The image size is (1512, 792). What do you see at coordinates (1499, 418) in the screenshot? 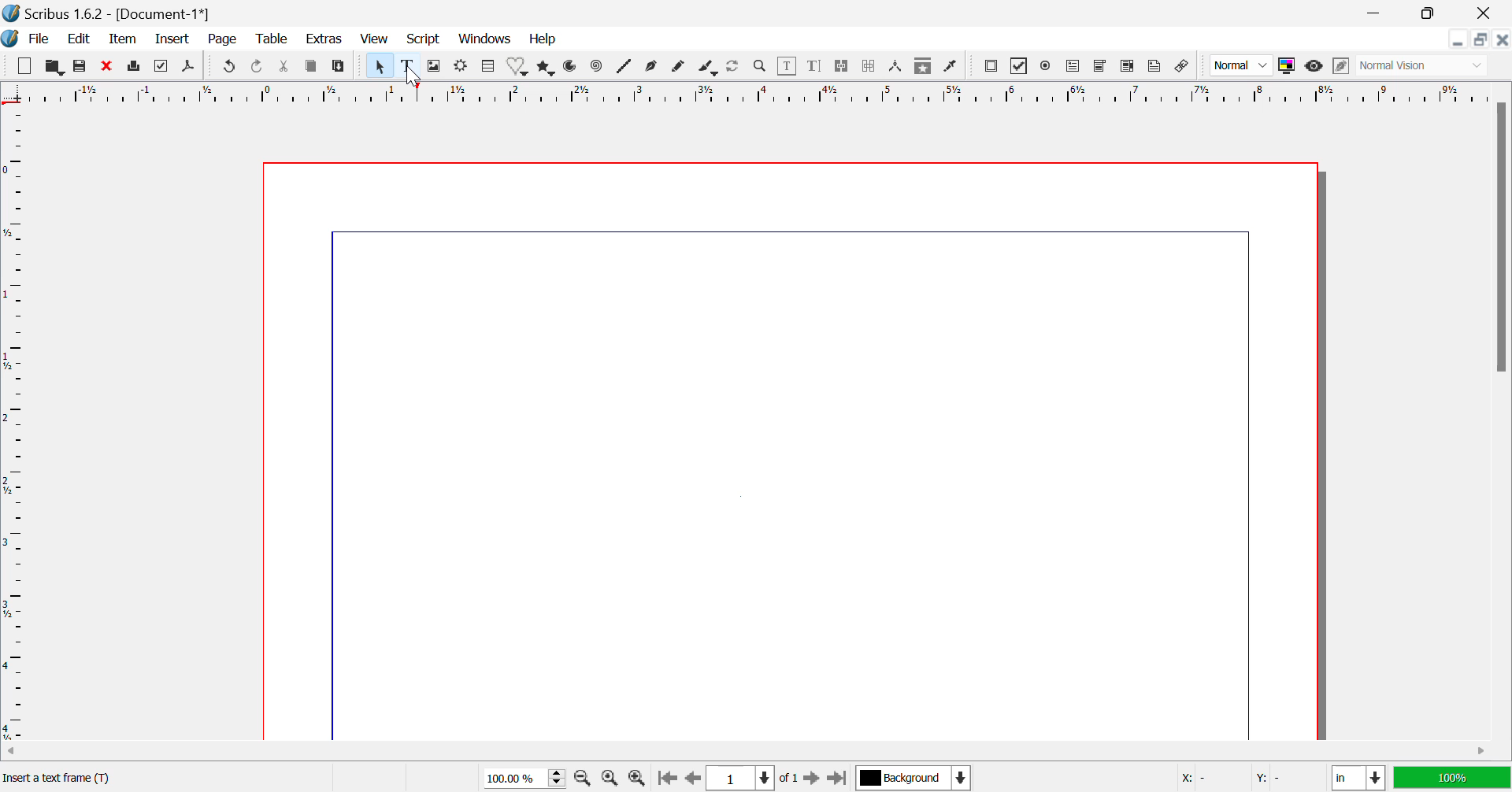
I see `Vertical Scroll Bar` at bounding box center [1499, 418].